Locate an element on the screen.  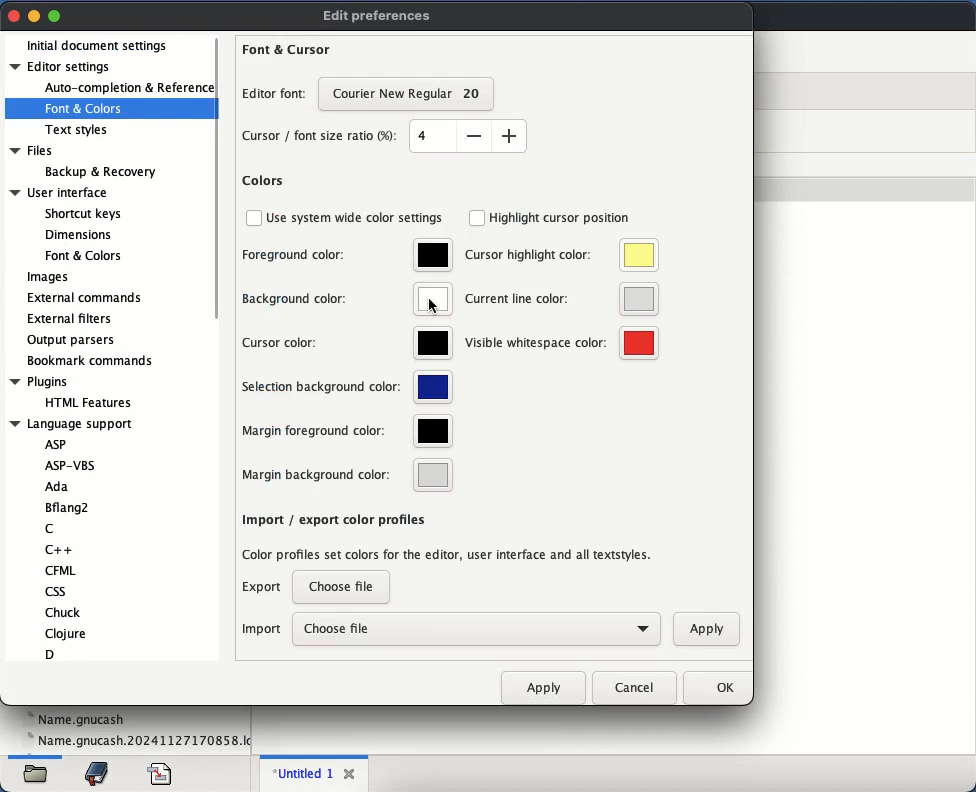
cursor is located at coordinates (433, 307).